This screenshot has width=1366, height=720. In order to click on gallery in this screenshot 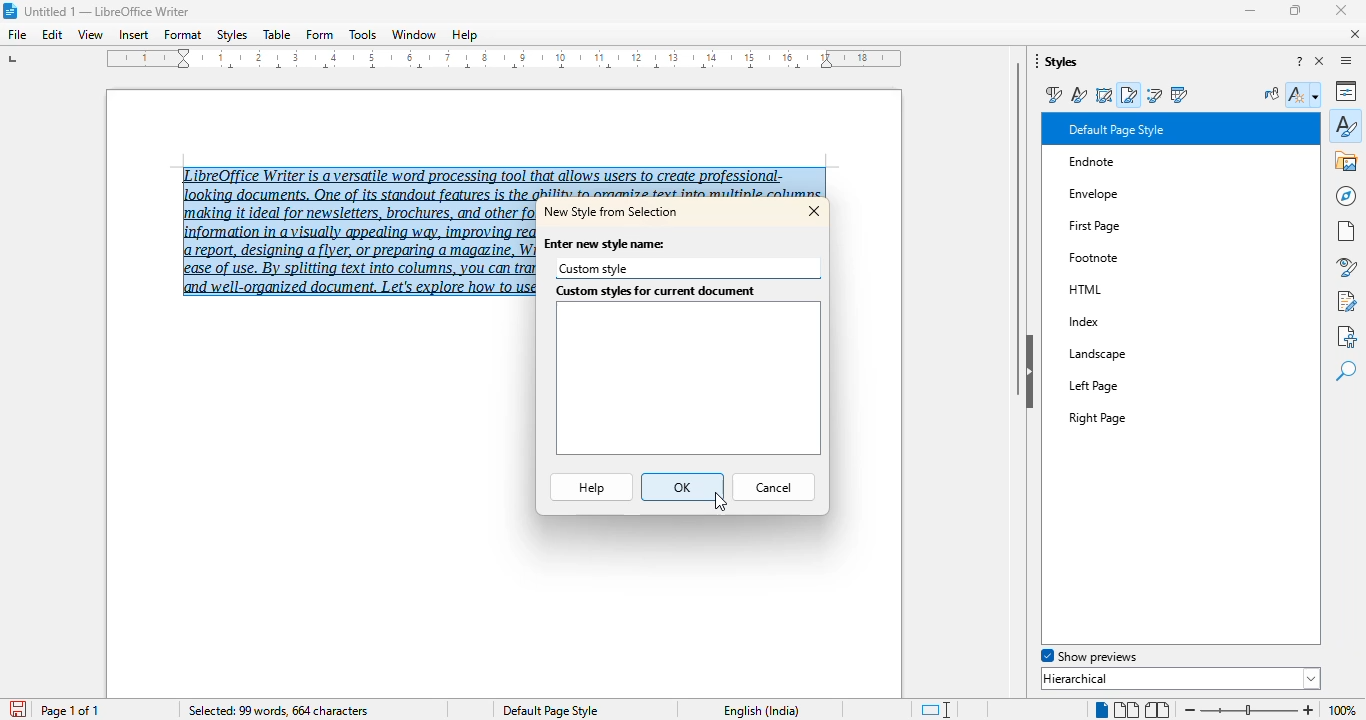, I will do `click(1347, 161)`.